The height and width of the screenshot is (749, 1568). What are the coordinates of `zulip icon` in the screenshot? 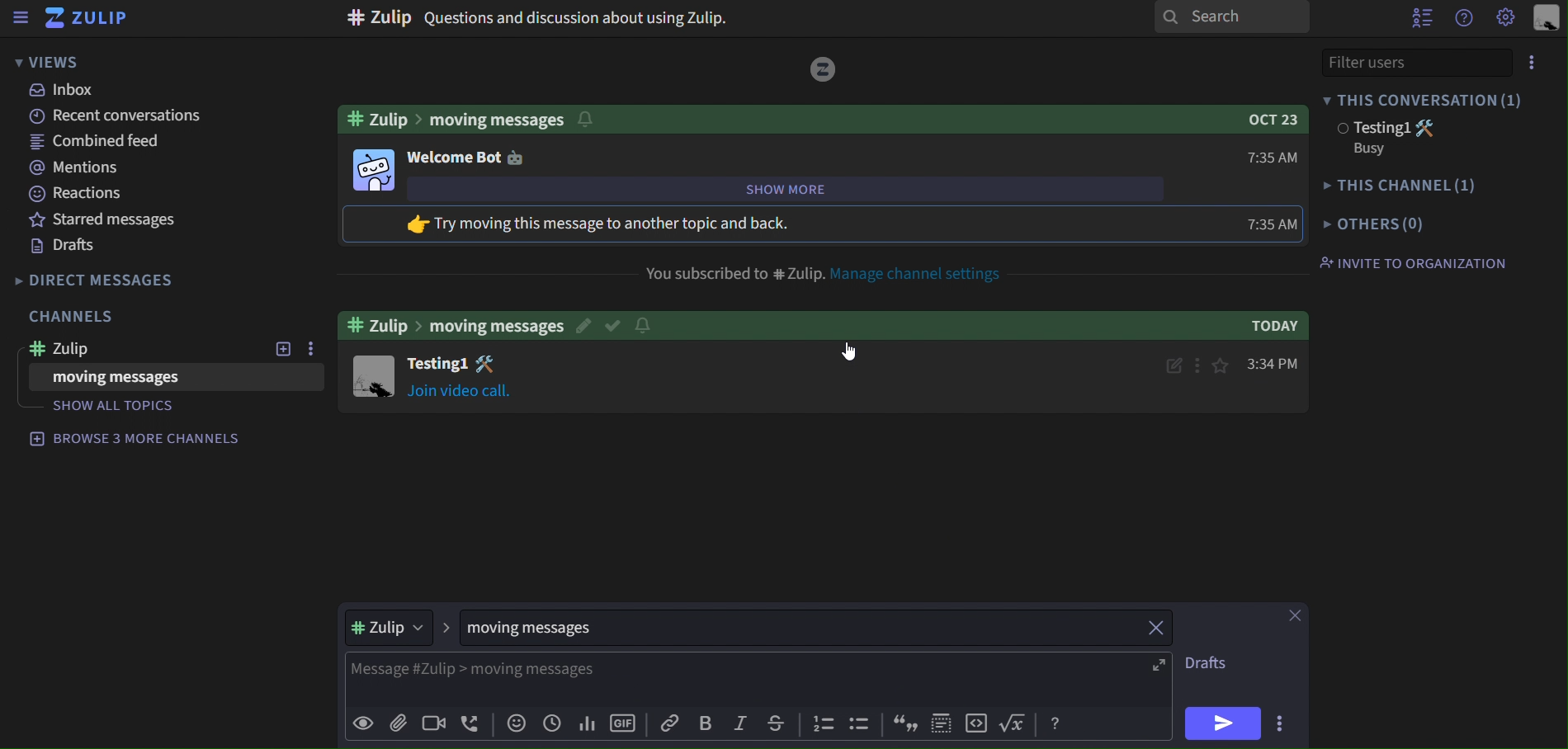 It's located at (86, 19).